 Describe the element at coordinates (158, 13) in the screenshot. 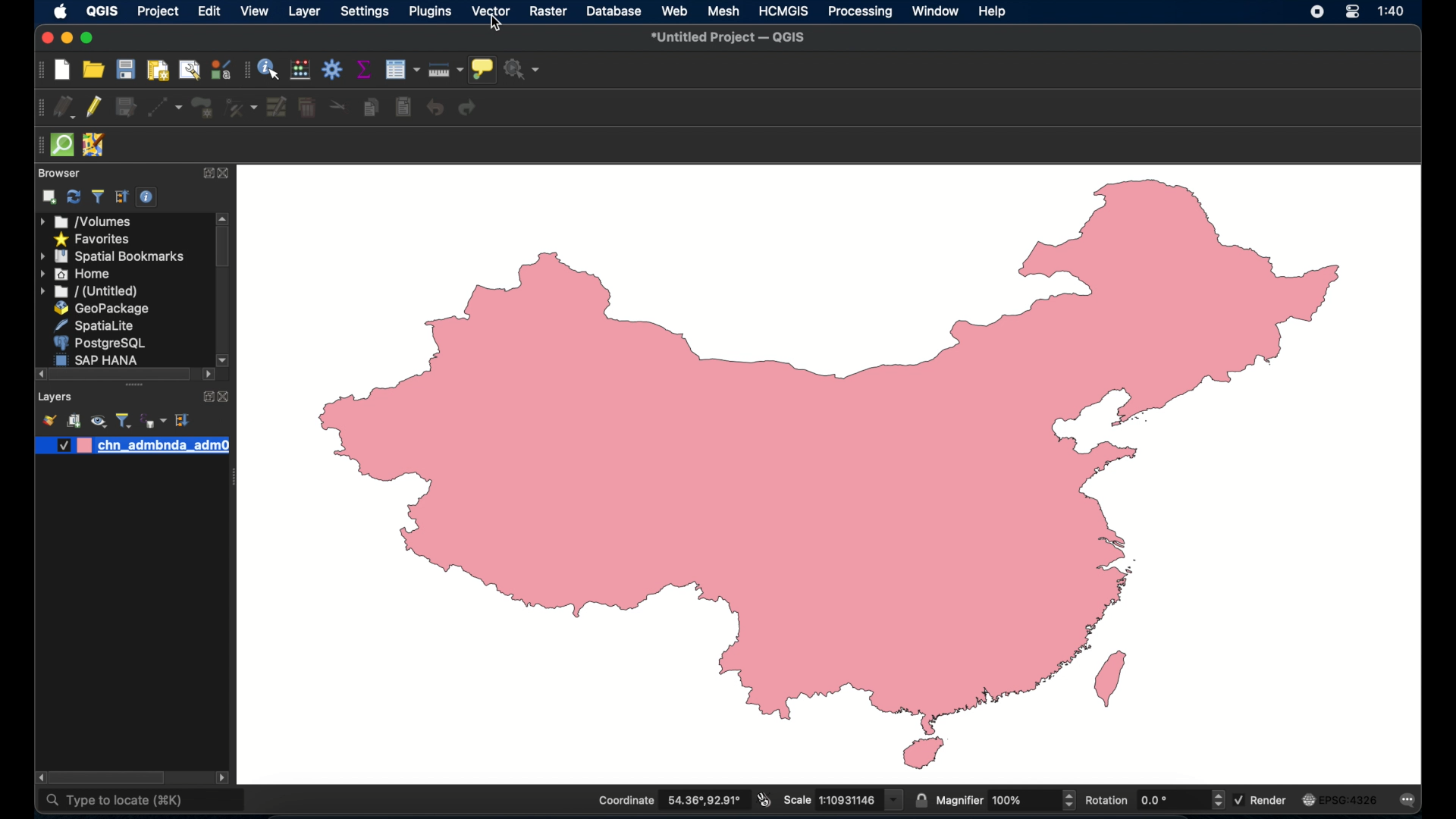

I see `project` at that location.